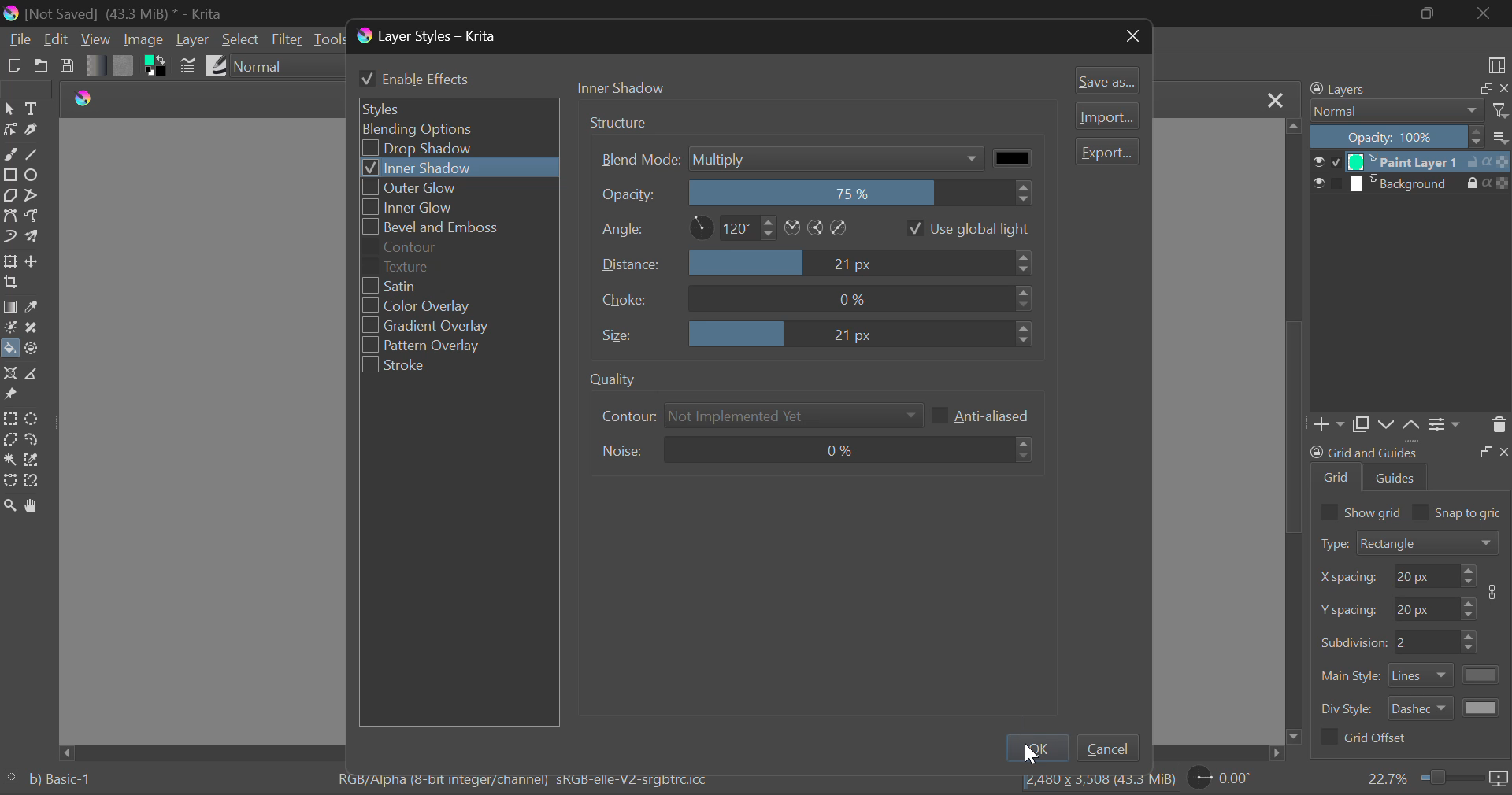 This screenshot has width=1512, height=795. Describe the element at coordinates (452, 266) in the screenshot. I see `Texture` at that location.